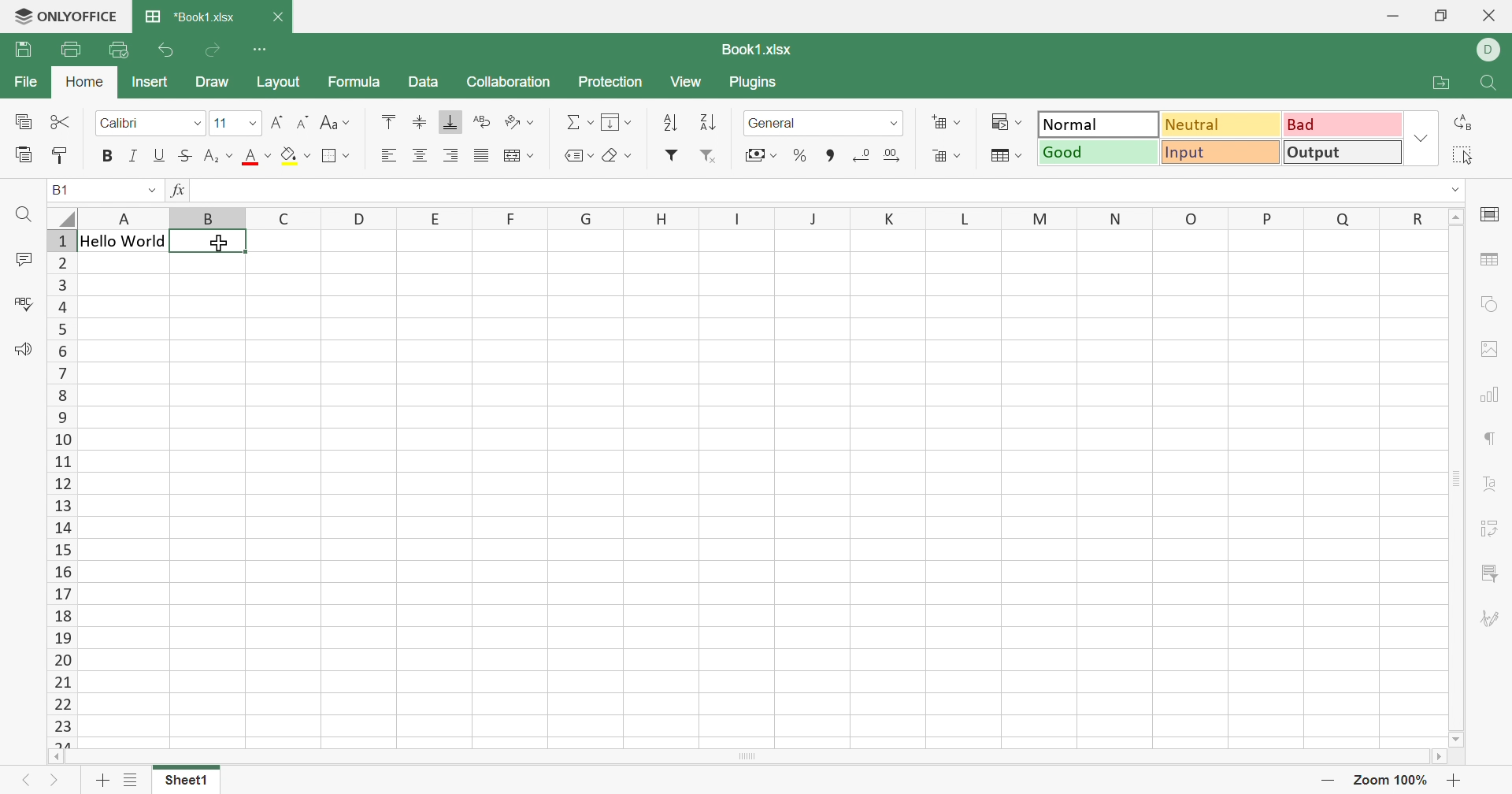 The height and width of the screenshot is (794, 1512). Describe the element at coordinates (179, 191) in the screenshot. I see `fx` at that location.